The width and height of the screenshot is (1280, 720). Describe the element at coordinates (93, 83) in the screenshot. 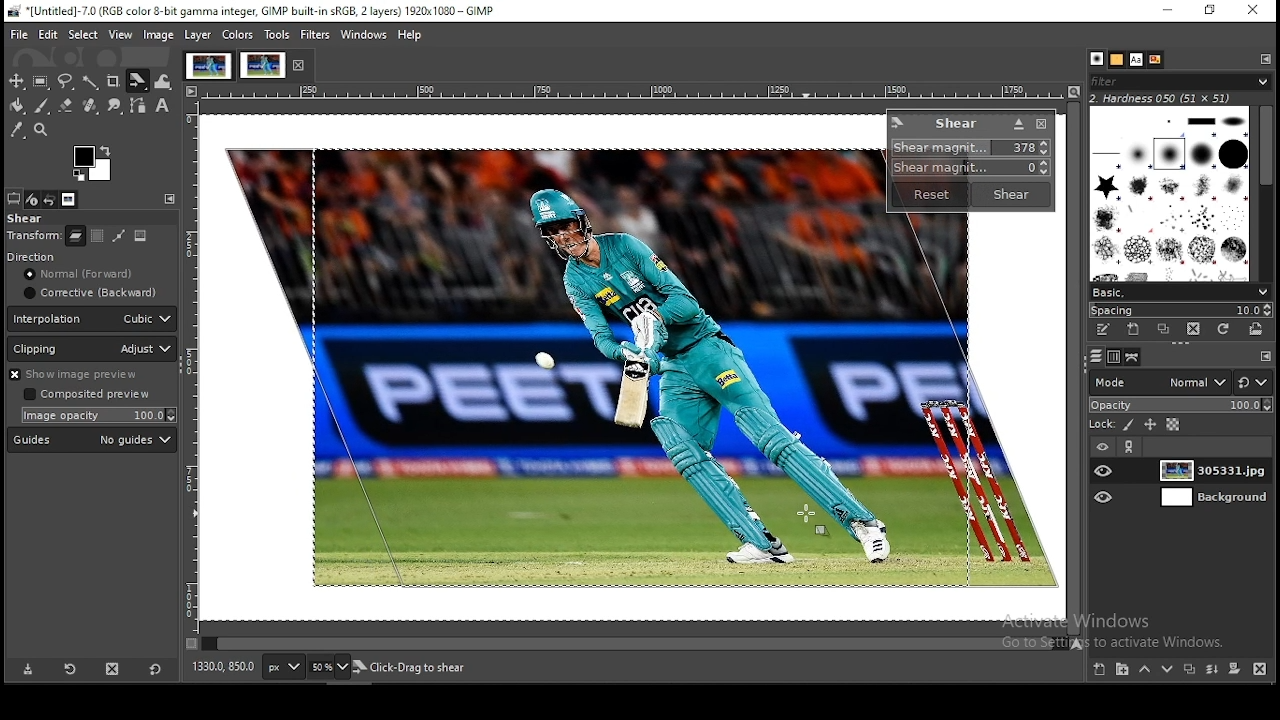

I see `fuzzy selection tool` at that location.